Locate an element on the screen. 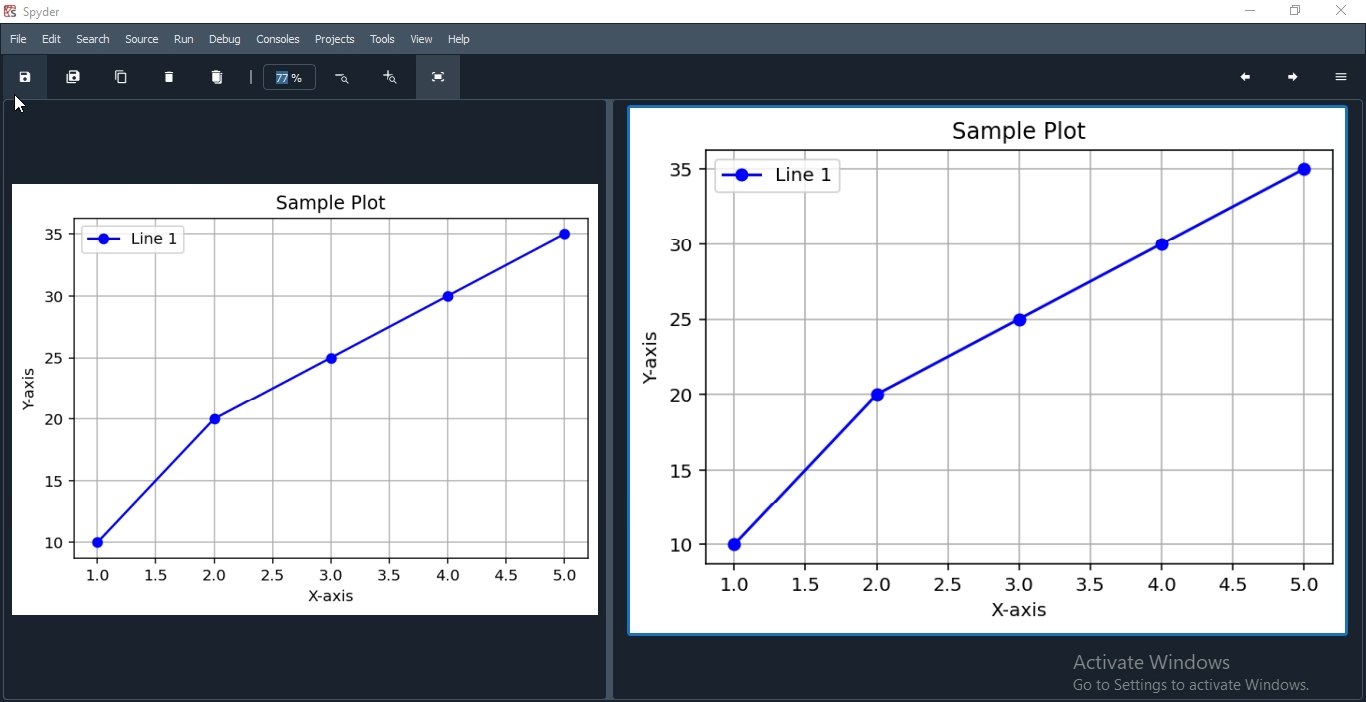 The image size is (1366, 702). graph is located at coordinates (306, 400).